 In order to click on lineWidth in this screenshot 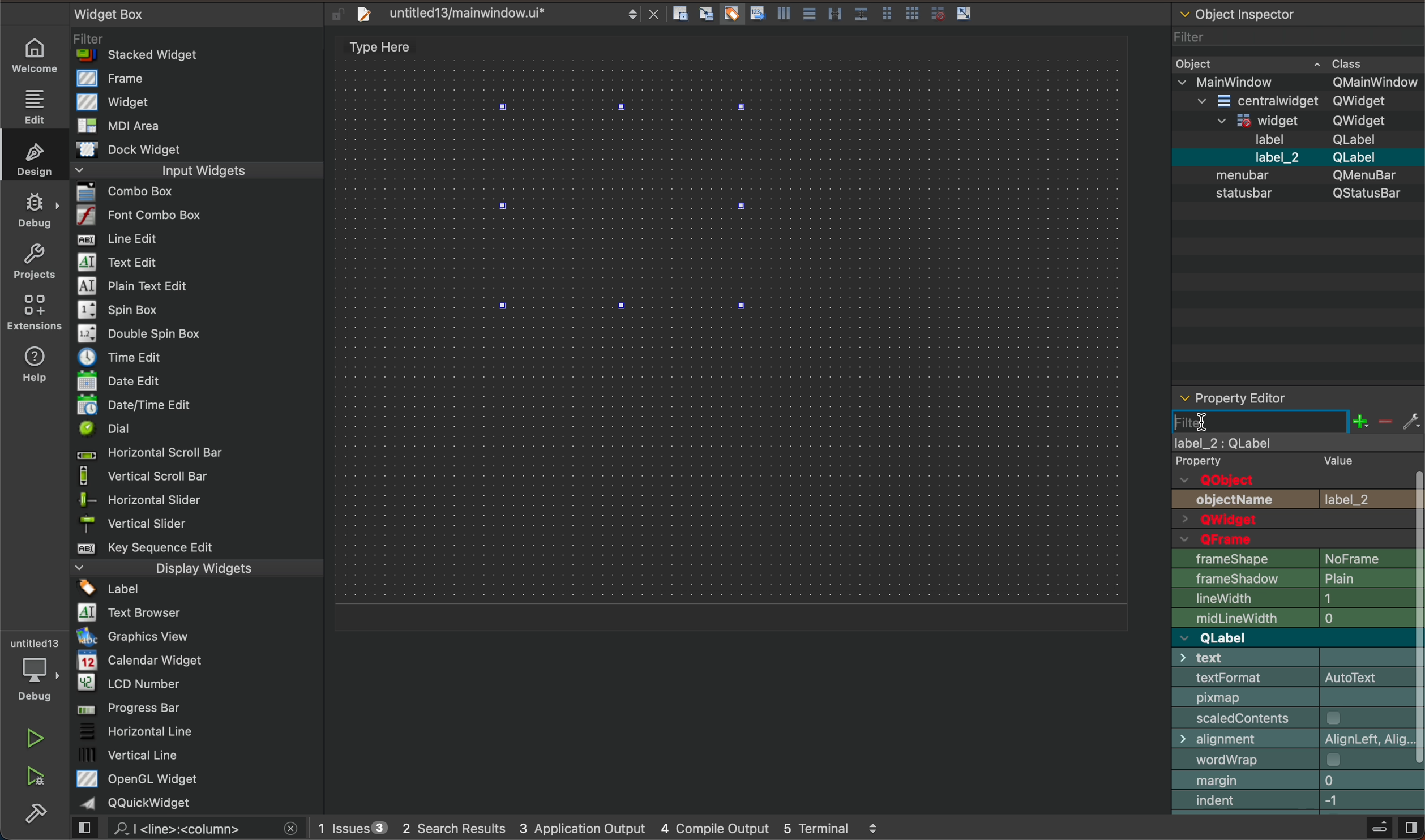, I will do `click(1297, 598)`.